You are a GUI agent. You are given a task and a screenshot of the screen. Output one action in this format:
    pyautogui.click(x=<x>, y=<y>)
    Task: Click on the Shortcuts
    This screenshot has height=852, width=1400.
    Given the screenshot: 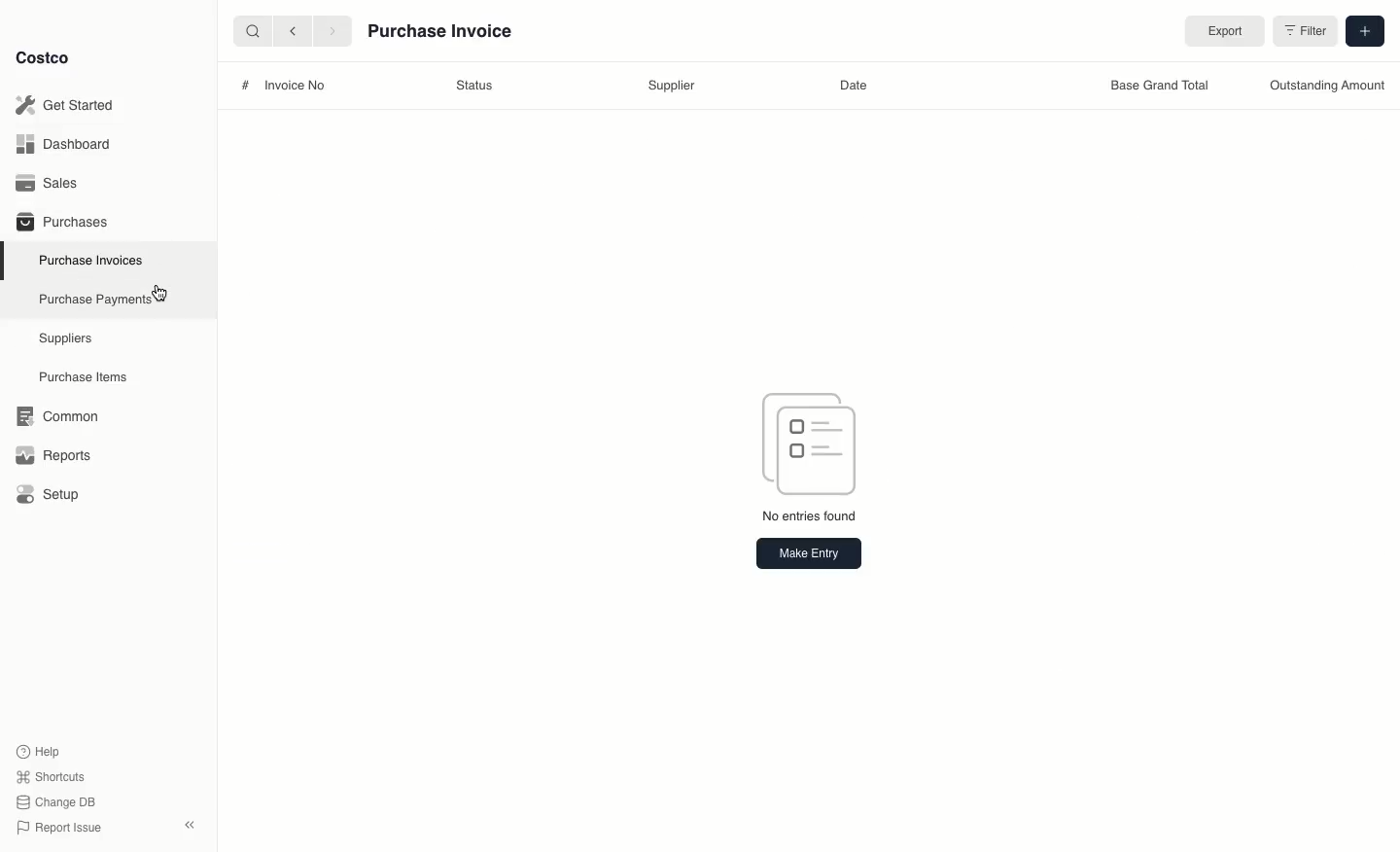 What is the action you would take?
    pyautogui.click(x=50, y=775)
    